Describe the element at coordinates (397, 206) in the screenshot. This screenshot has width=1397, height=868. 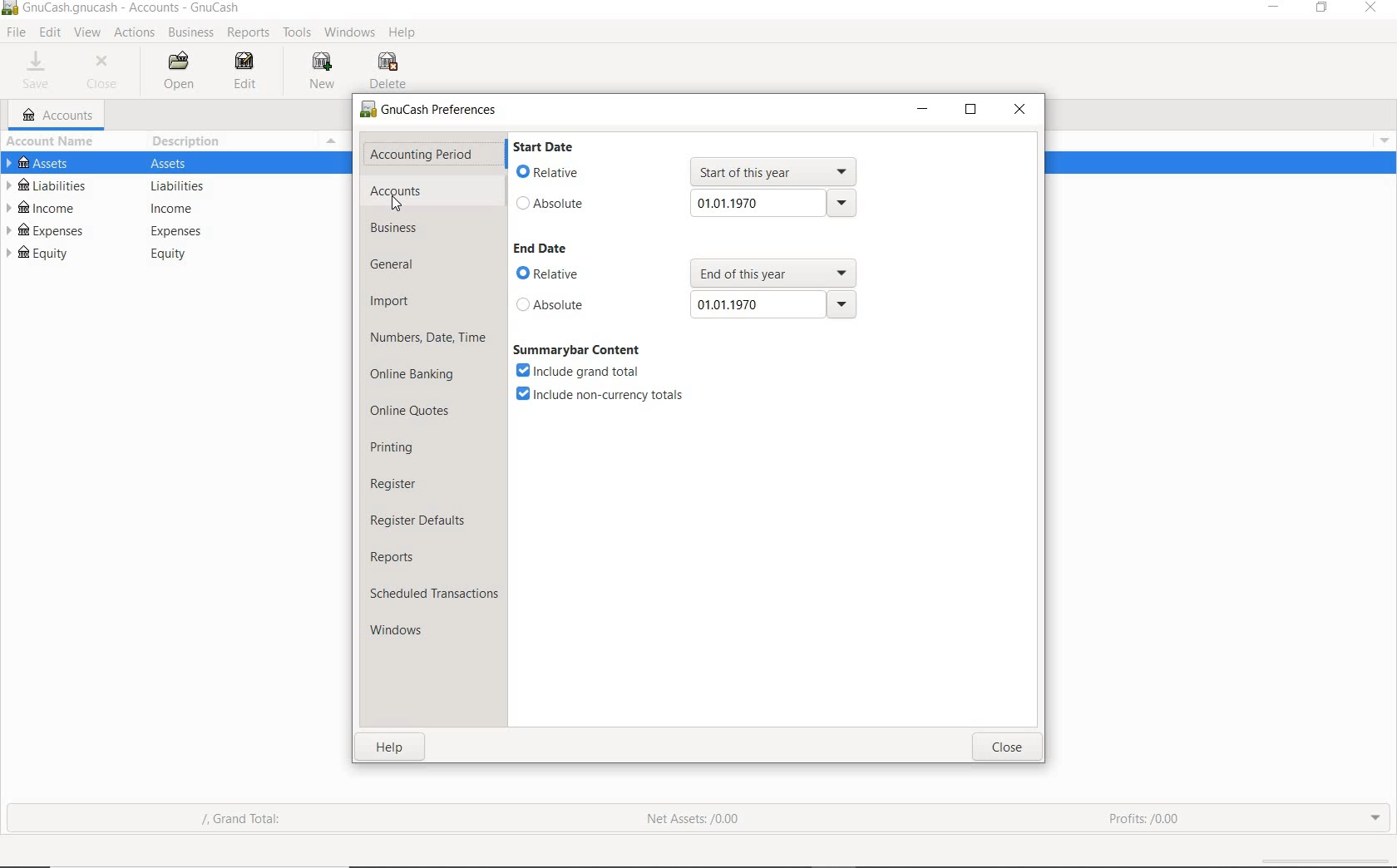
I see `Cursor` at that location.